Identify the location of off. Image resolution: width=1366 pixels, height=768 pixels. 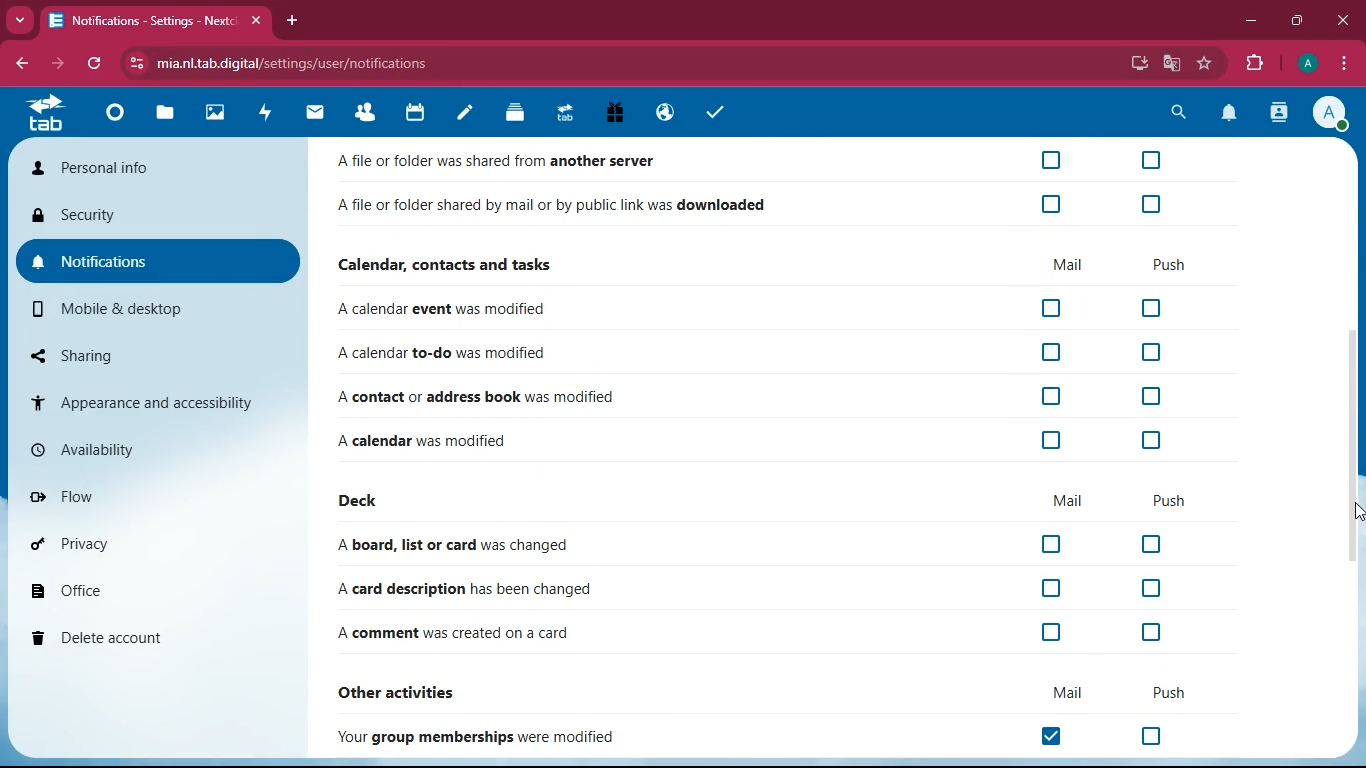
(1149, 634).